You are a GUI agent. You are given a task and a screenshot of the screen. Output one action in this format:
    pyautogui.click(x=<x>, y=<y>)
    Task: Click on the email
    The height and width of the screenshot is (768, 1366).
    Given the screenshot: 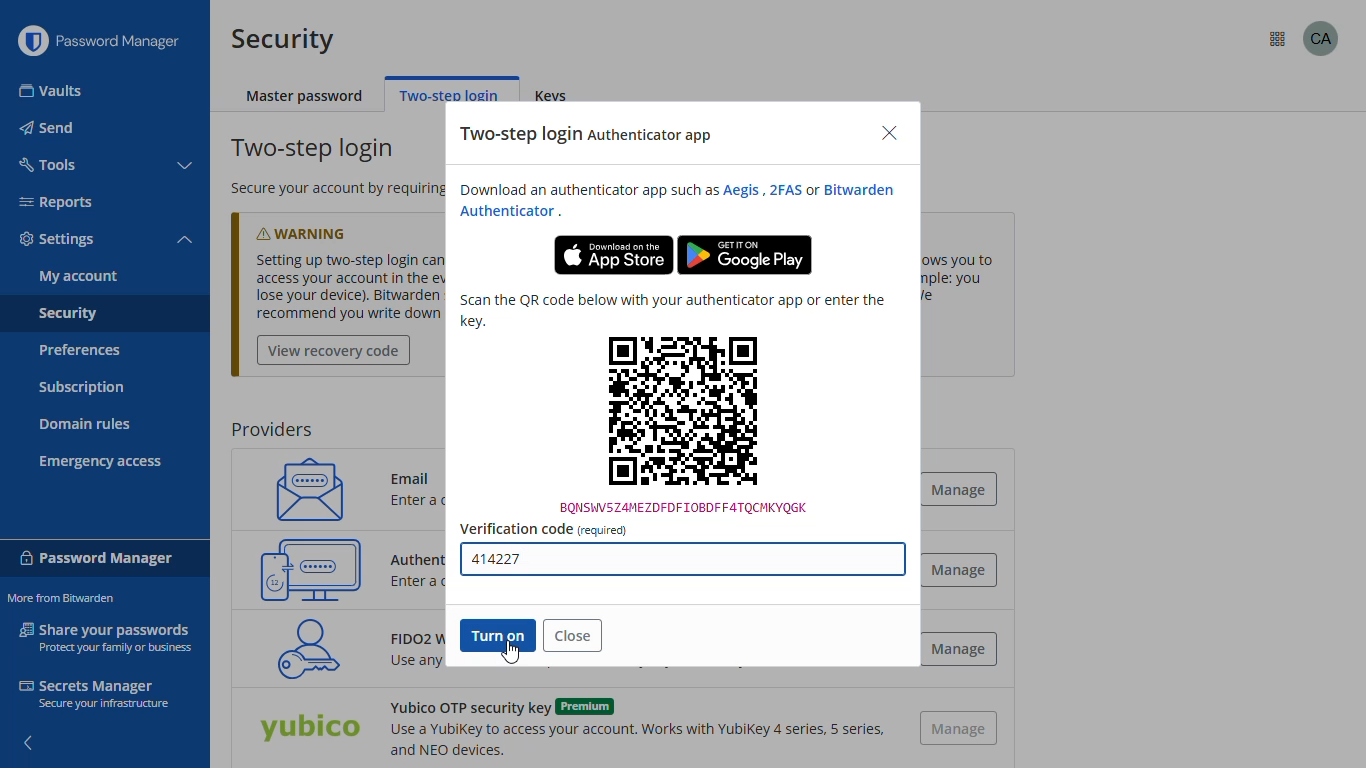 What is the action you would take?
    pyautogui.click(x=303, y=488)
    